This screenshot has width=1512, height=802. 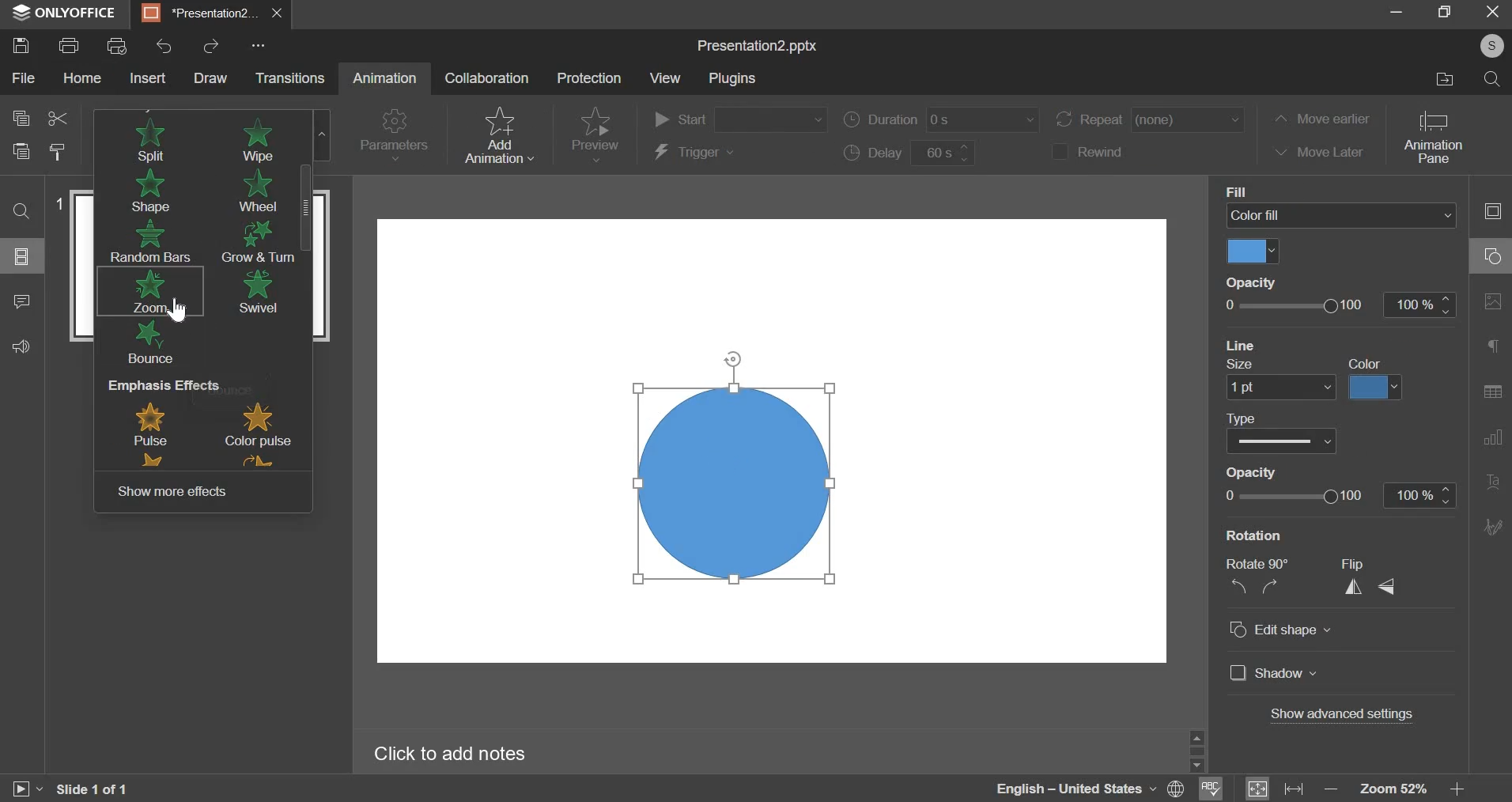 I want to click on Opacity, so click(x=1247, y=282).